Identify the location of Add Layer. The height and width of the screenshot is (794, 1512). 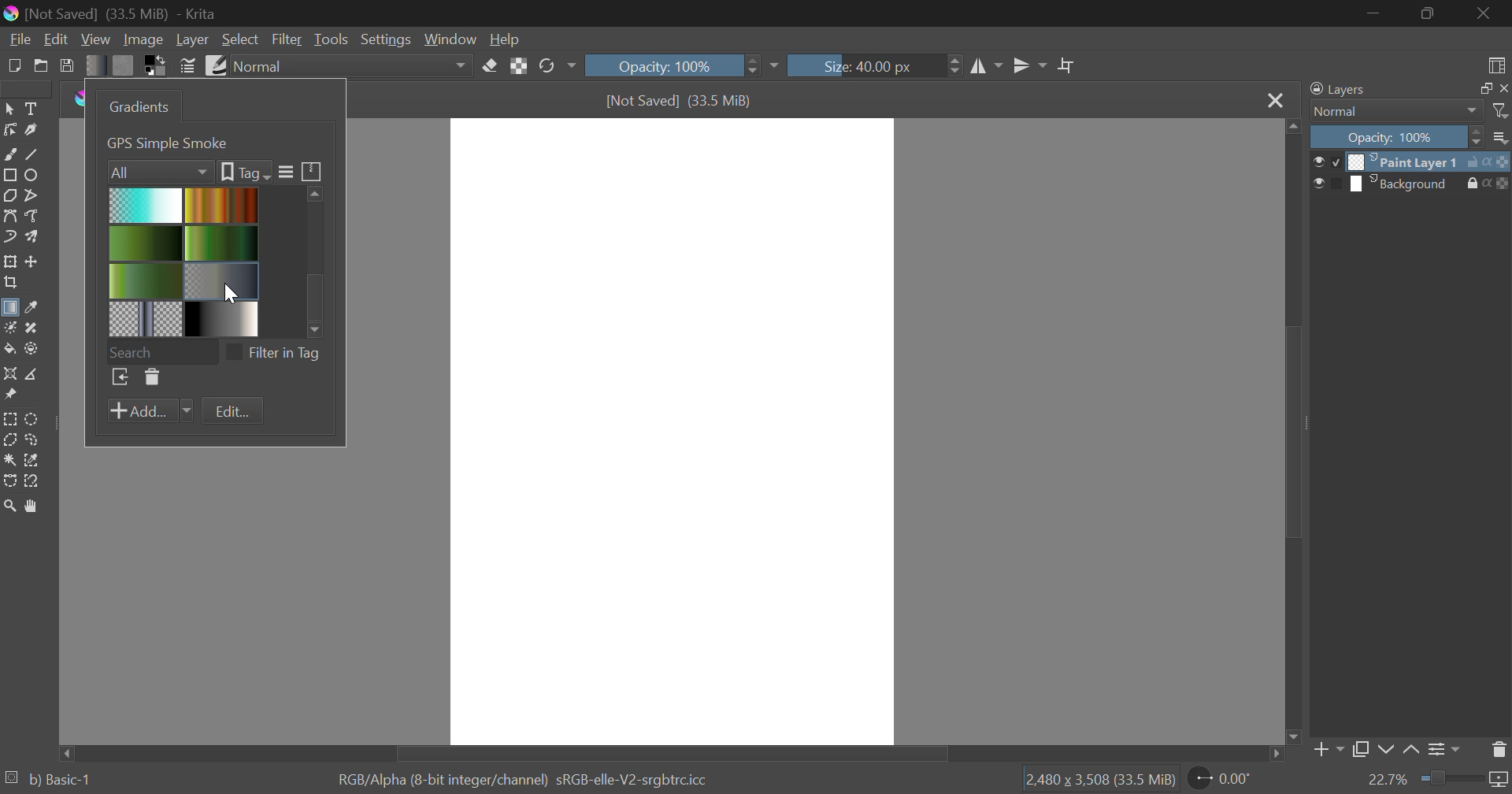
(1327, 753).